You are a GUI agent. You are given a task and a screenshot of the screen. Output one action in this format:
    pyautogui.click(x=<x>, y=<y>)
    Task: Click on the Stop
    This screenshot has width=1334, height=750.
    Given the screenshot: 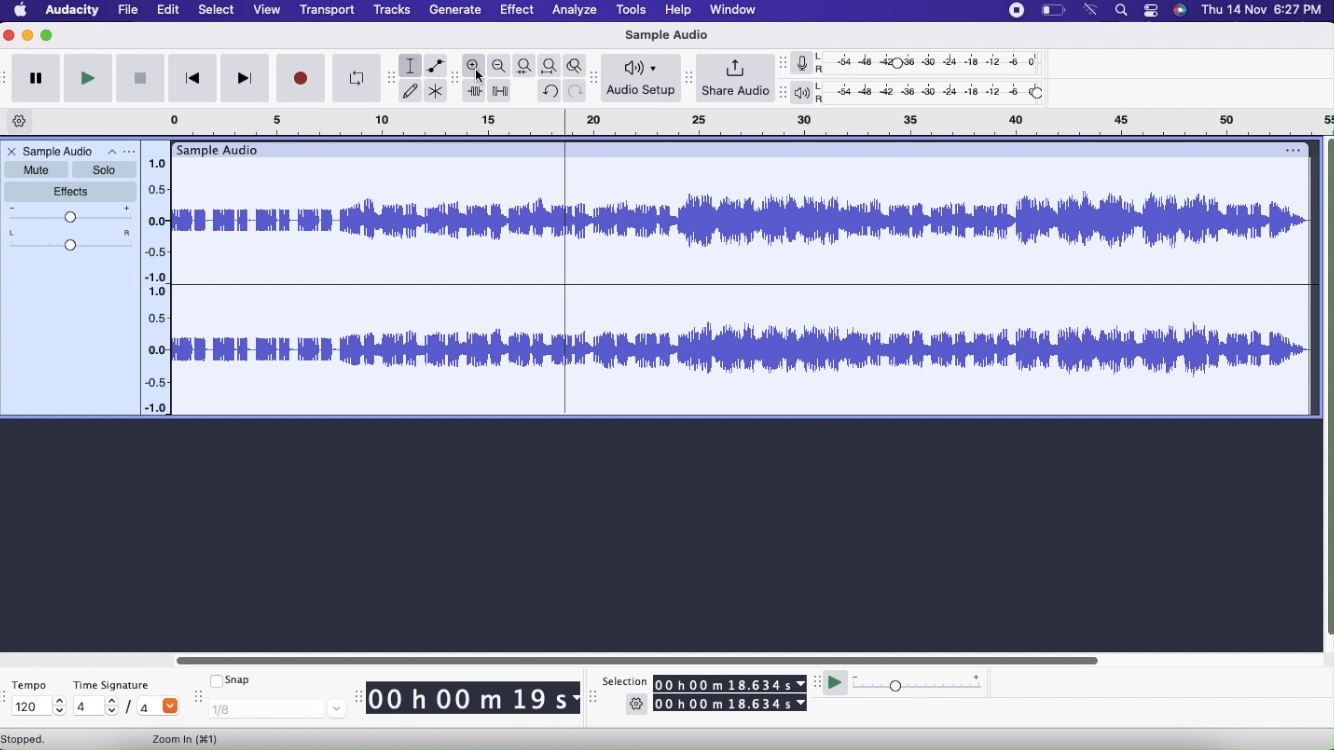 What is the action you would take?
    pyautogui.click(x=140, y=78)
    